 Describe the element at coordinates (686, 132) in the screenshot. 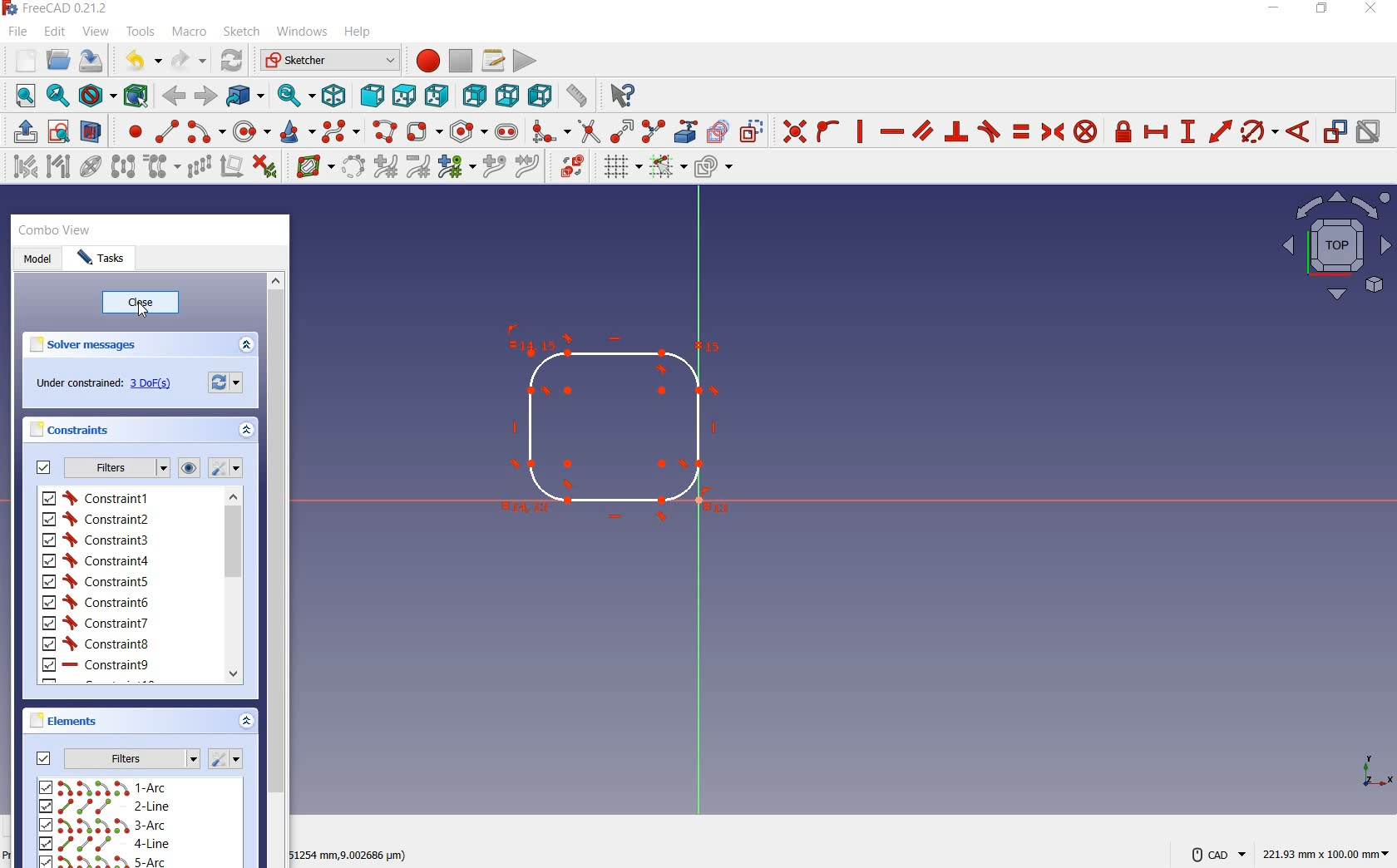

I see `create external geometry` at that location.